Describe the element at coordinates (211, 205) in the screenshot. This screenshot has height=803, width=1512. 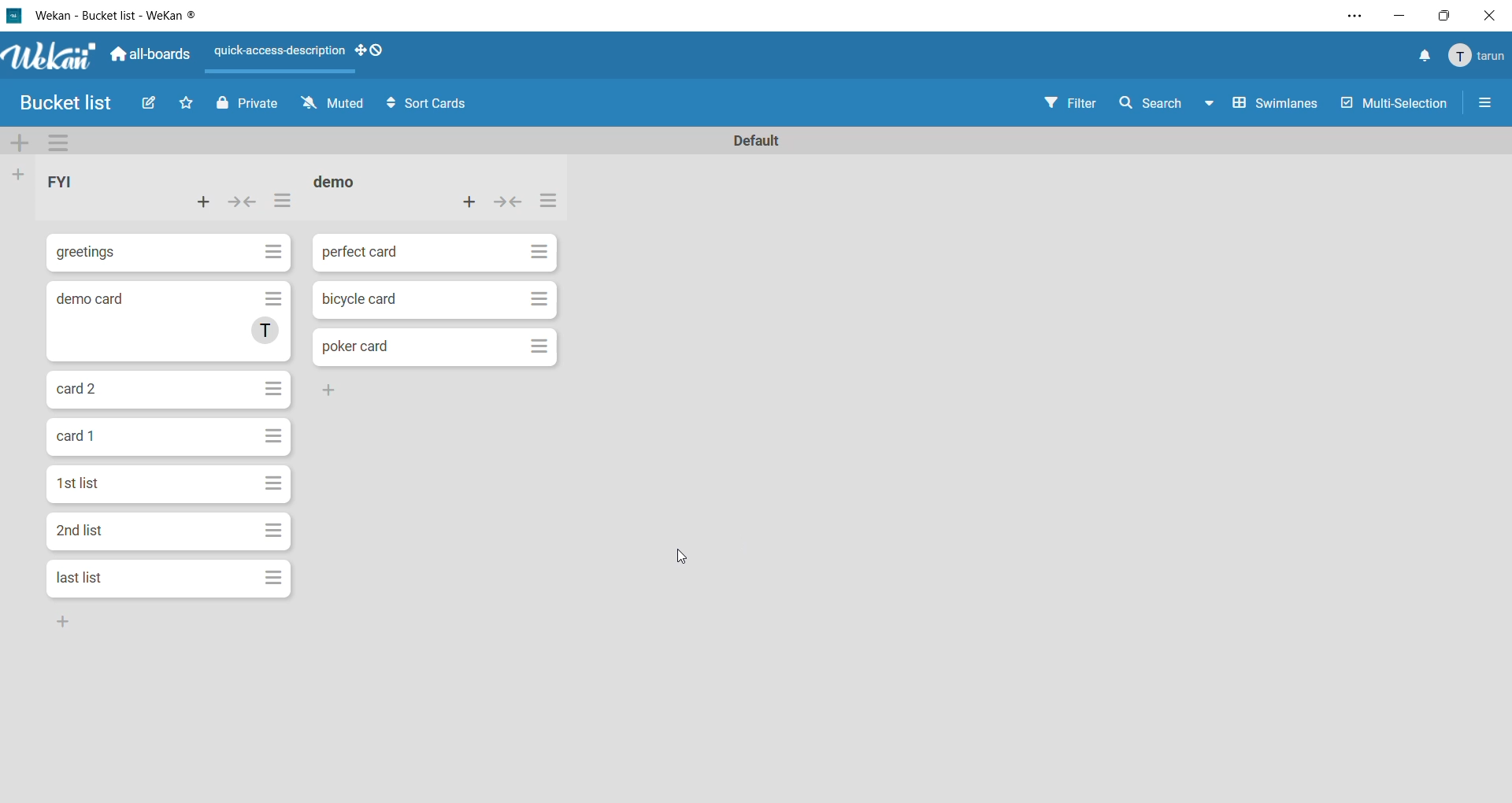
I see `add card` at that location.